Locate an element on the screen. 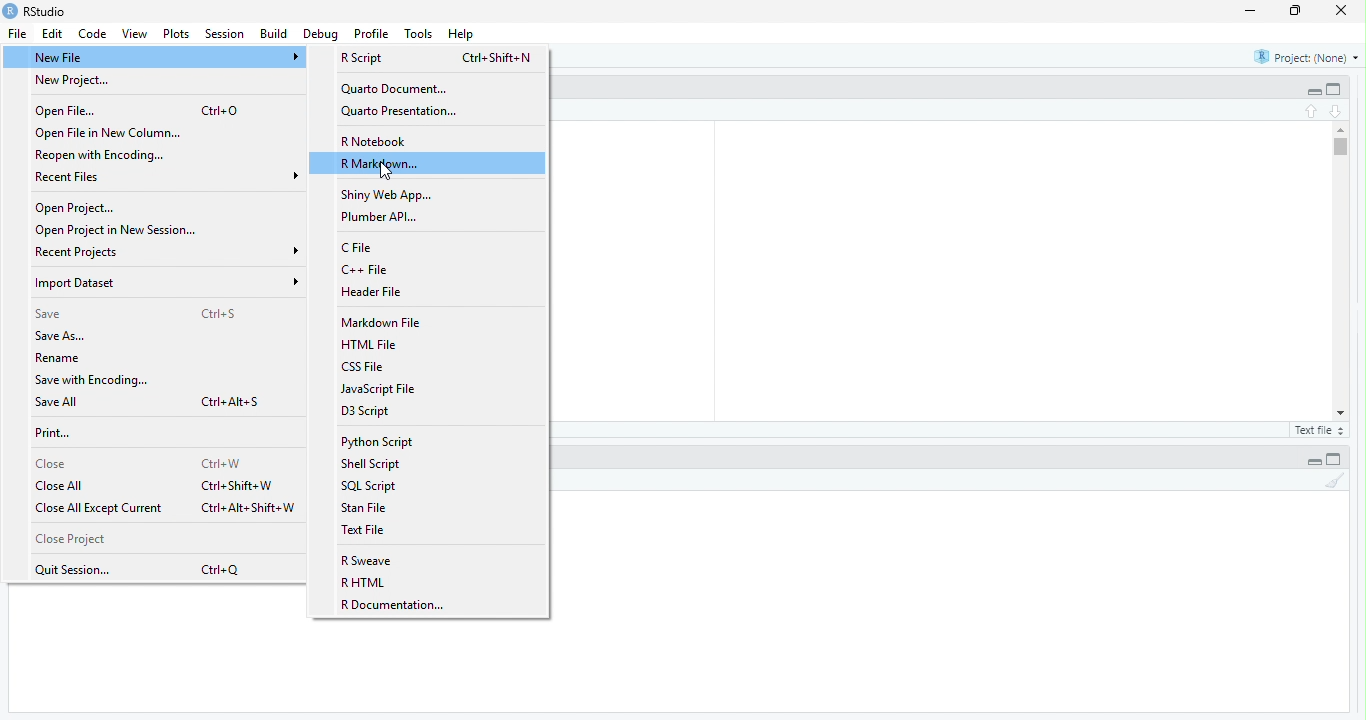  Edit is located at coordinates (54, 33).